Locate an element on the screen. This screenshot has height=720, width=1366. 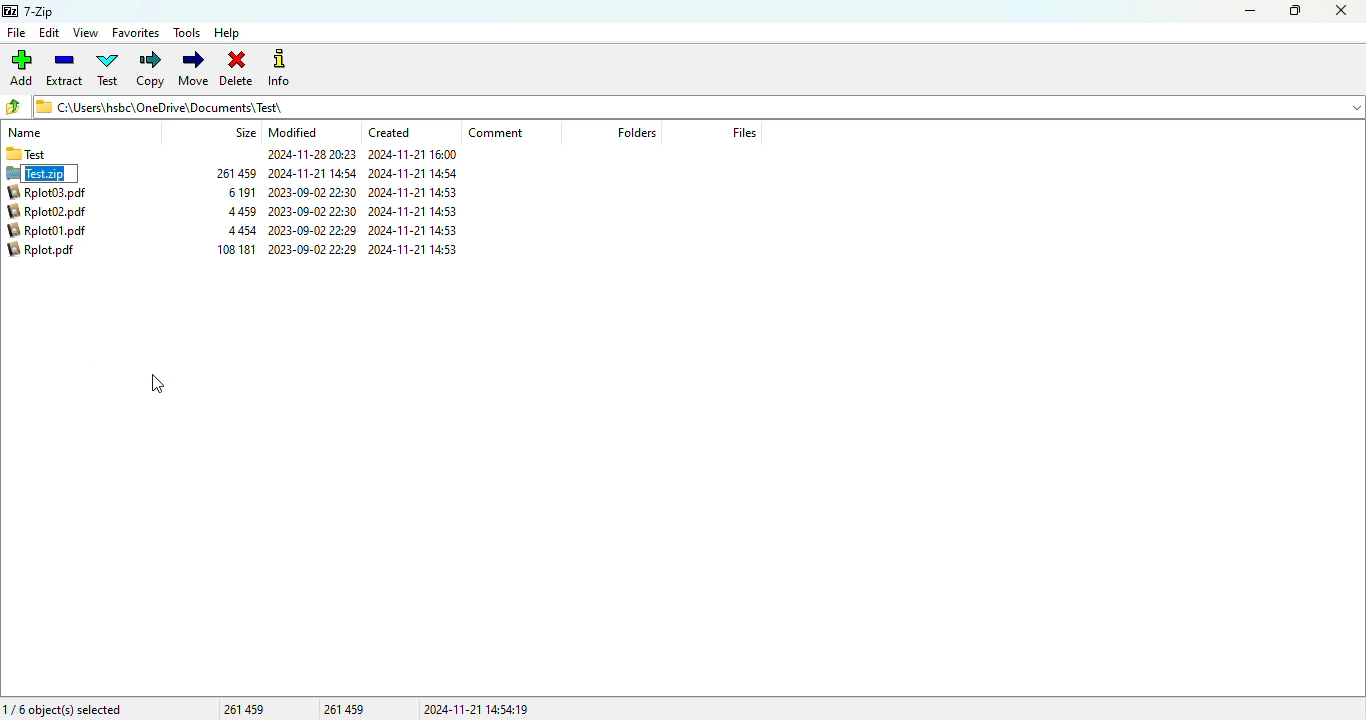
edit is located at coordinates (50, 33).